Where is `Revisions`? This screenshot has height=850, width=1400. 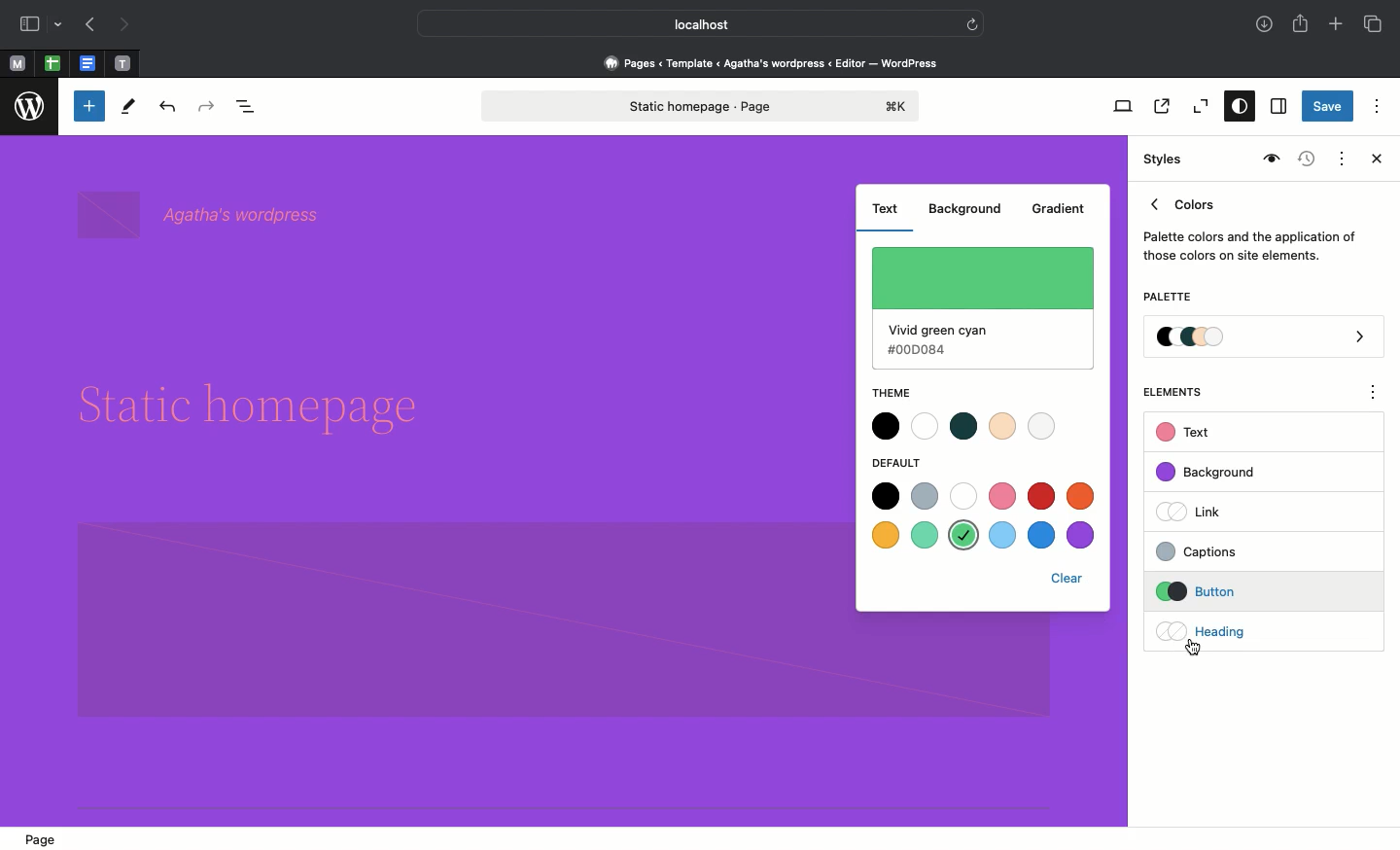
Revisions is located at coordinates (1304, 160).